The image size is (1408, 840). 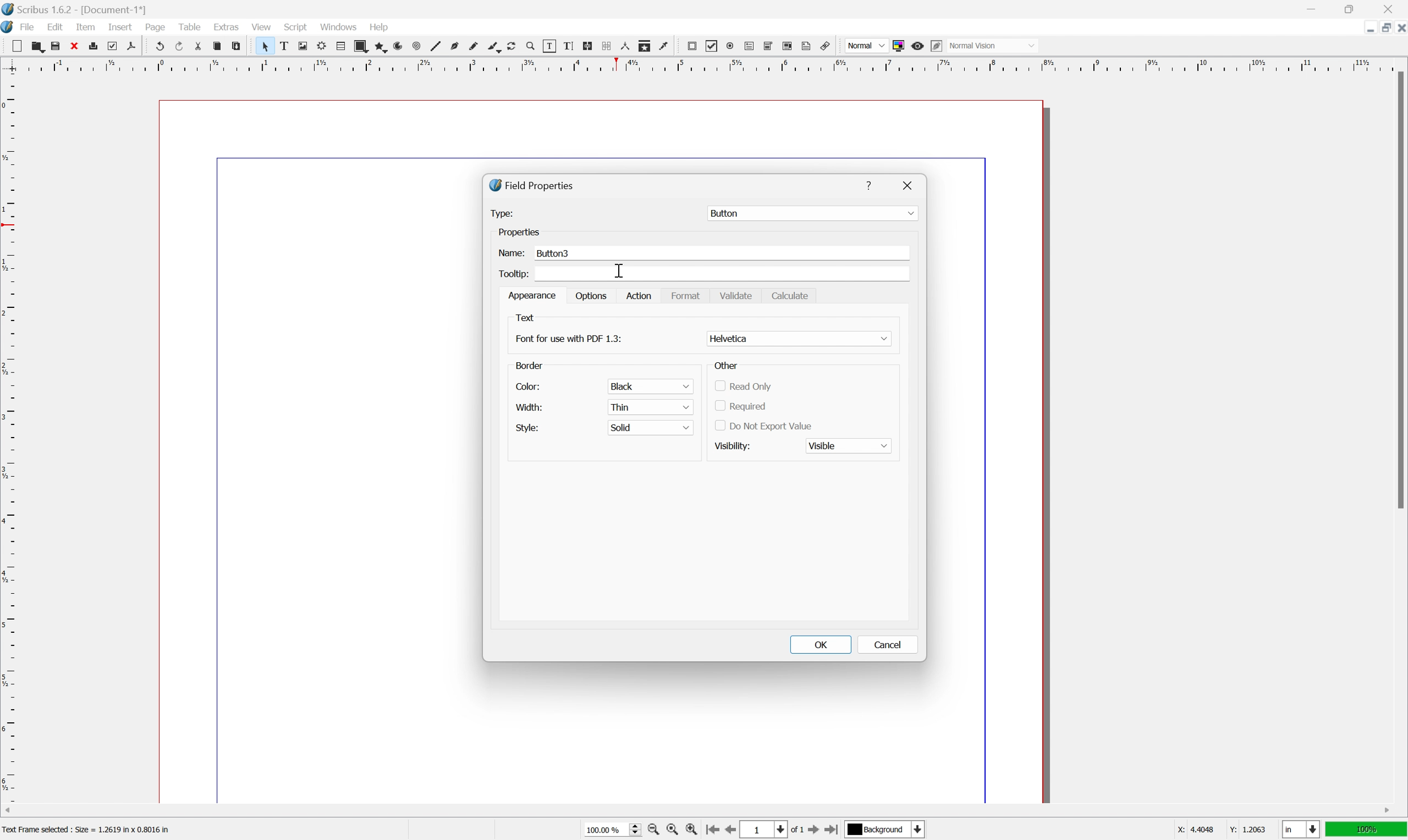 What do you see at coordinates (884, 830) in the screenshot?
I see `Background` at bounding box center [884, 830].